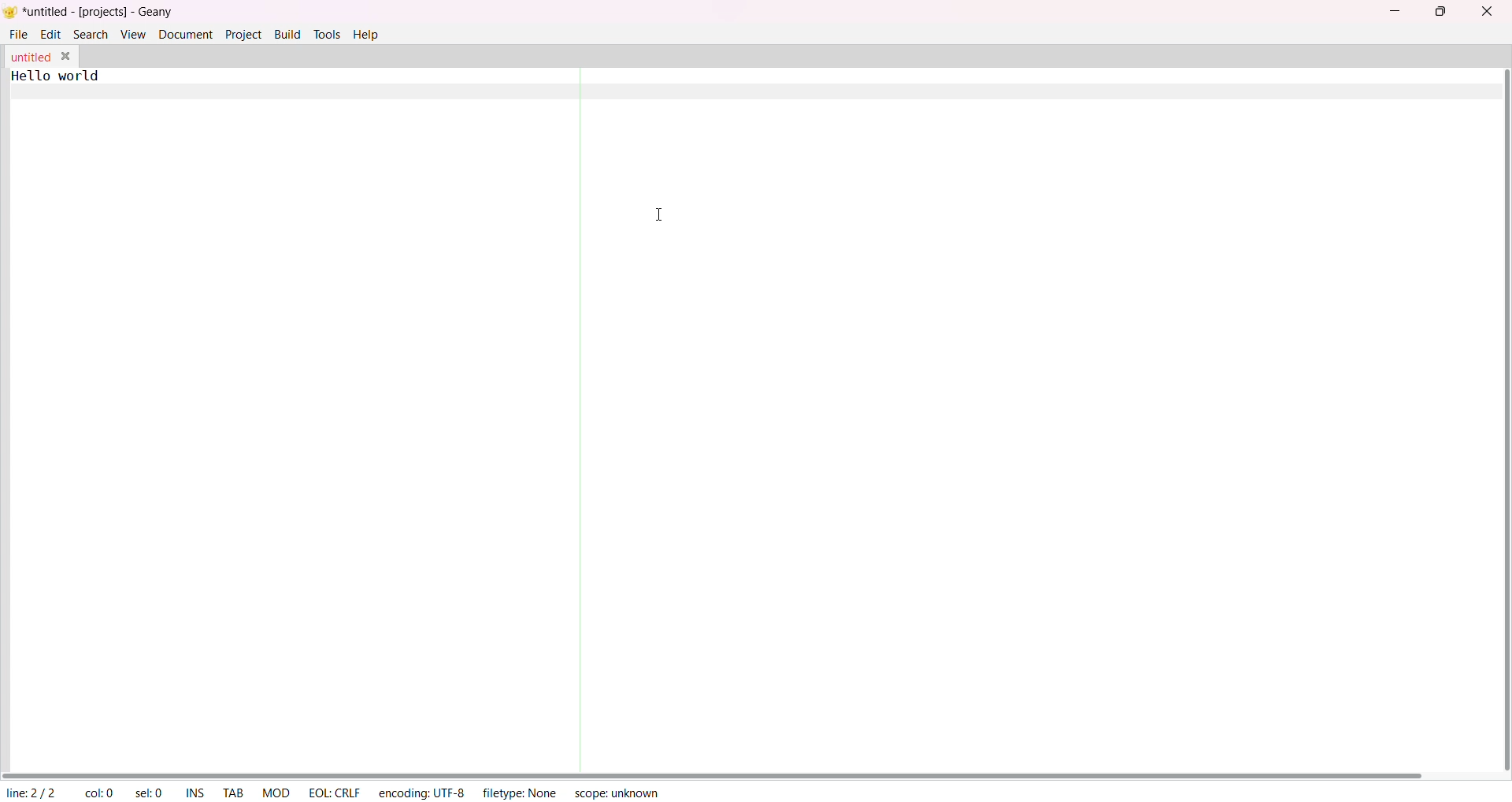 This screenshot has height=802, width=1512. Describe the element at coordinates (132, 34) in the screenshot. I see `view` at that location.